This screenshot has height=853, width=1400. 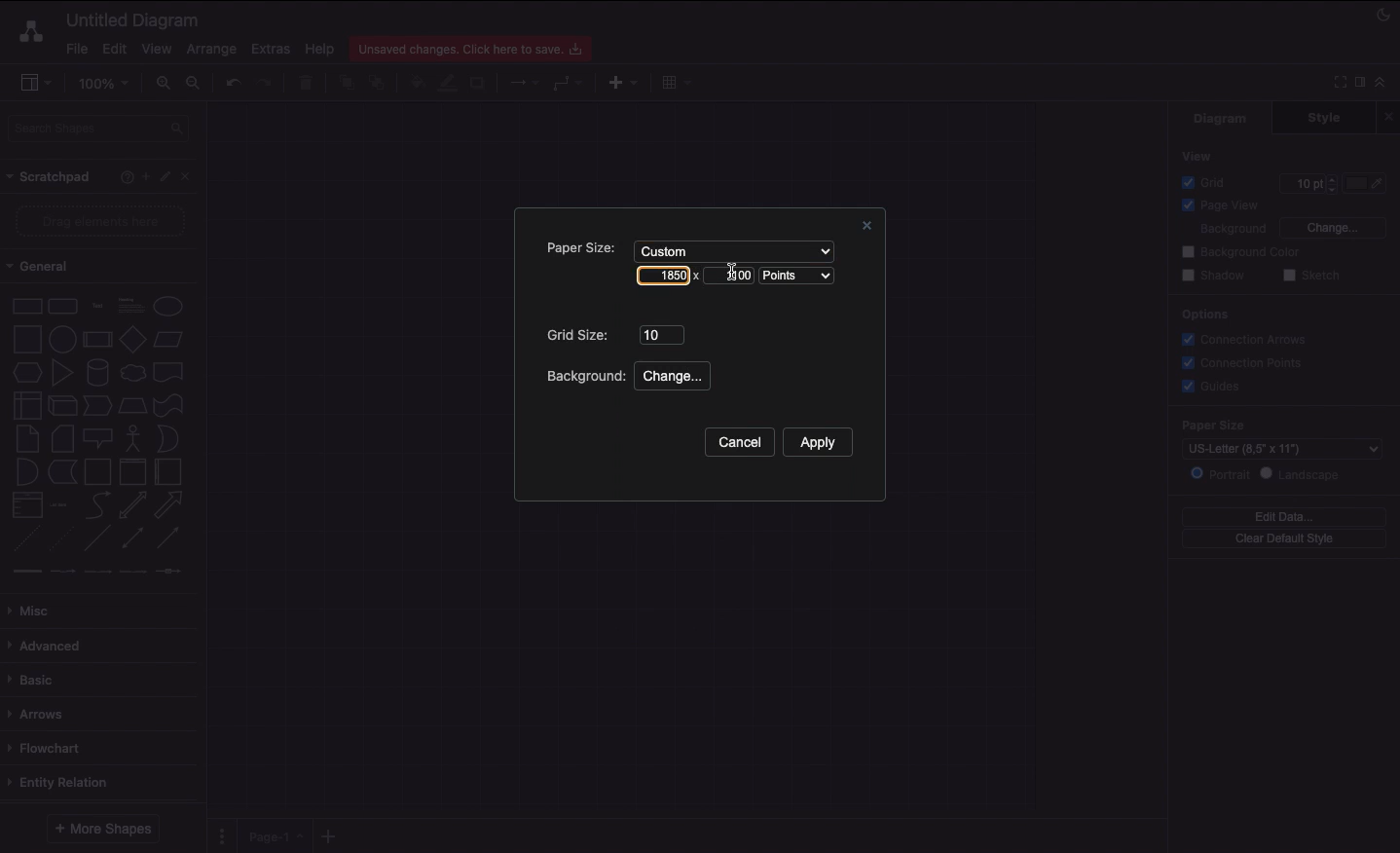 What do you see at coordinates (168, 437) in the screenshot?
I see `Or` at bounding box center [168, 437].